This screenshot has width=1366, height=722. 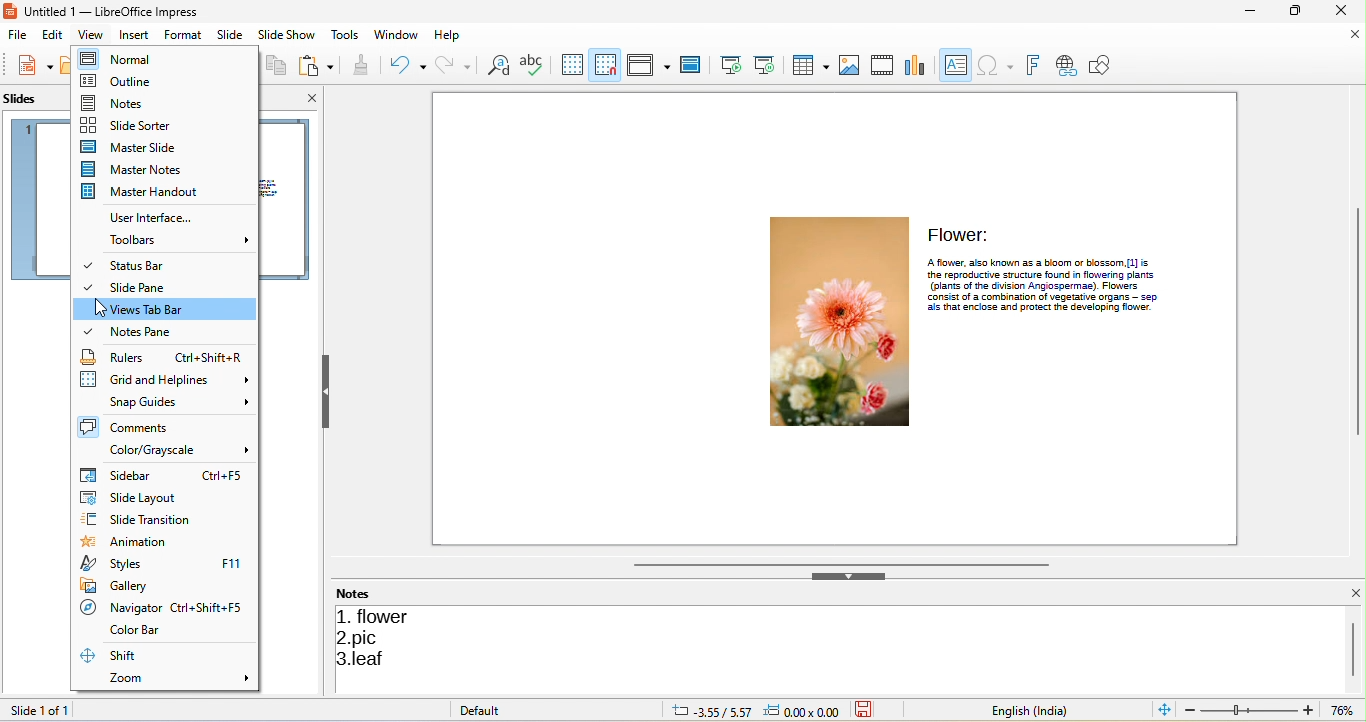 What do you see at coordinates (840, 321) in the screenshot?
I see `image of flower` at bounding box center [840, 321].